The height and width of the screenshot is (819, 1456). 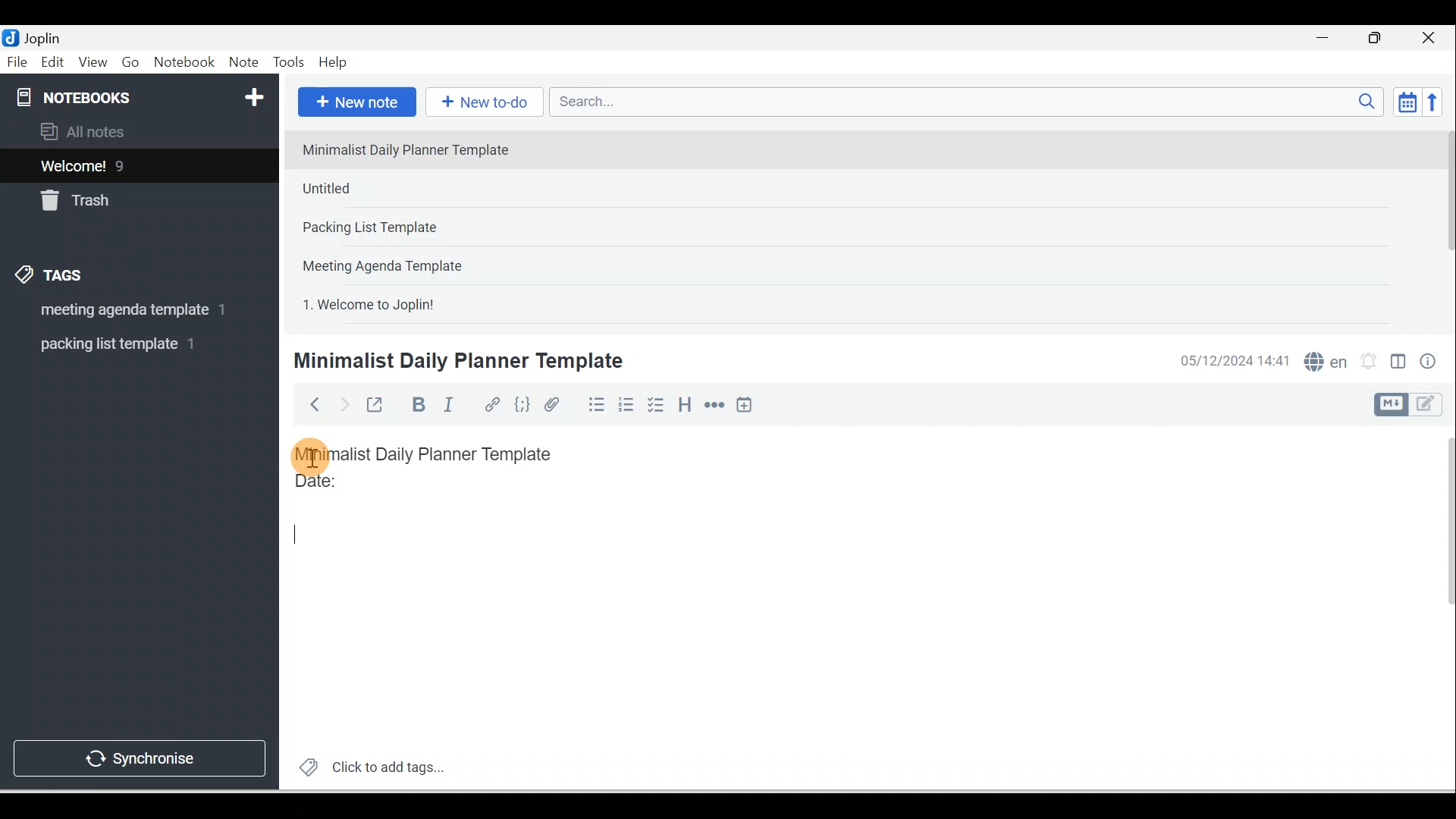 I want to click on Set alarm, so click(x=1367, y=362).